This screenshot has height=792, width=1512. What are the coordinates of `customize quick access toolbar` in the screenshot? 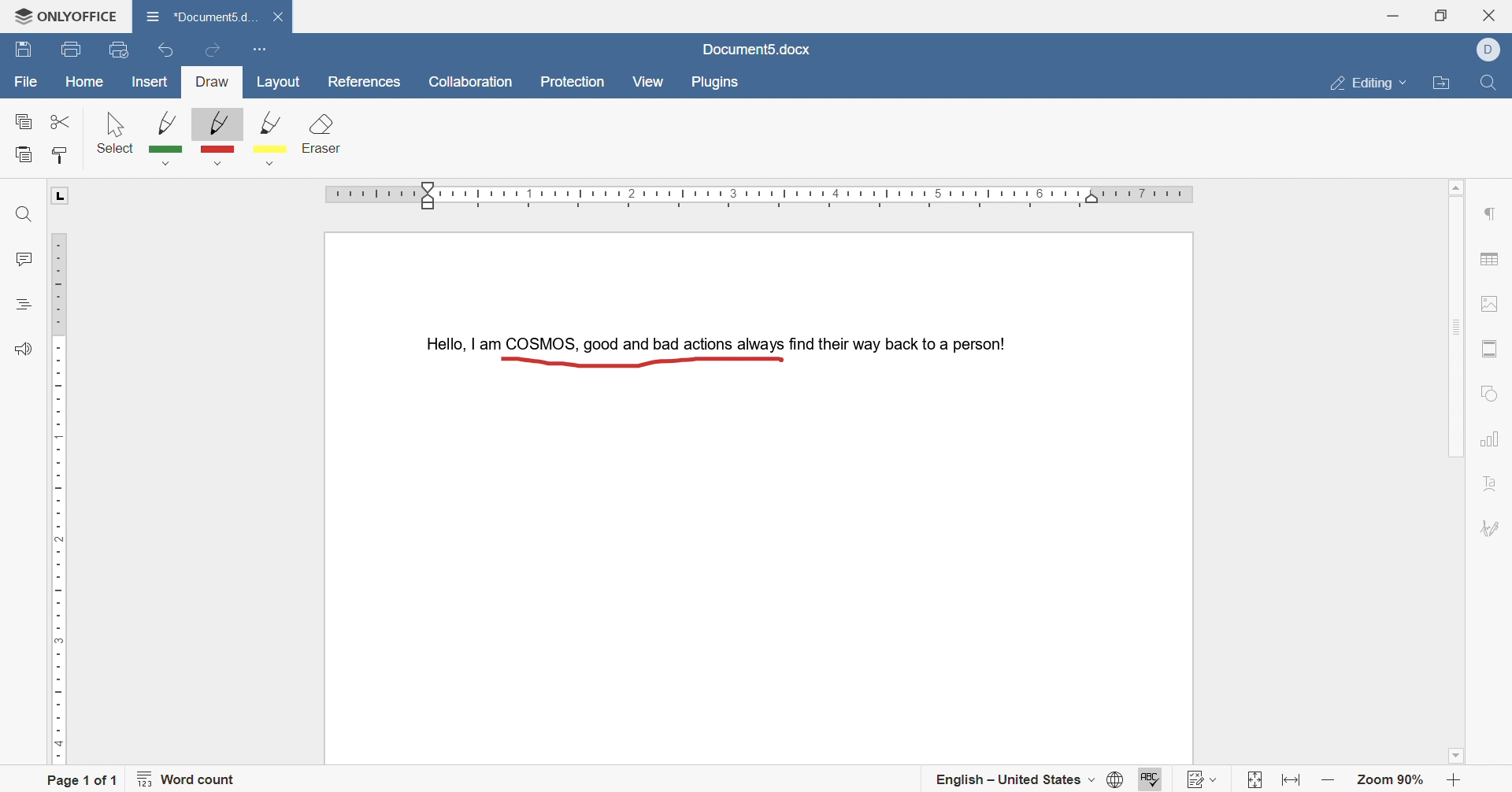 It's located at (258, 47).